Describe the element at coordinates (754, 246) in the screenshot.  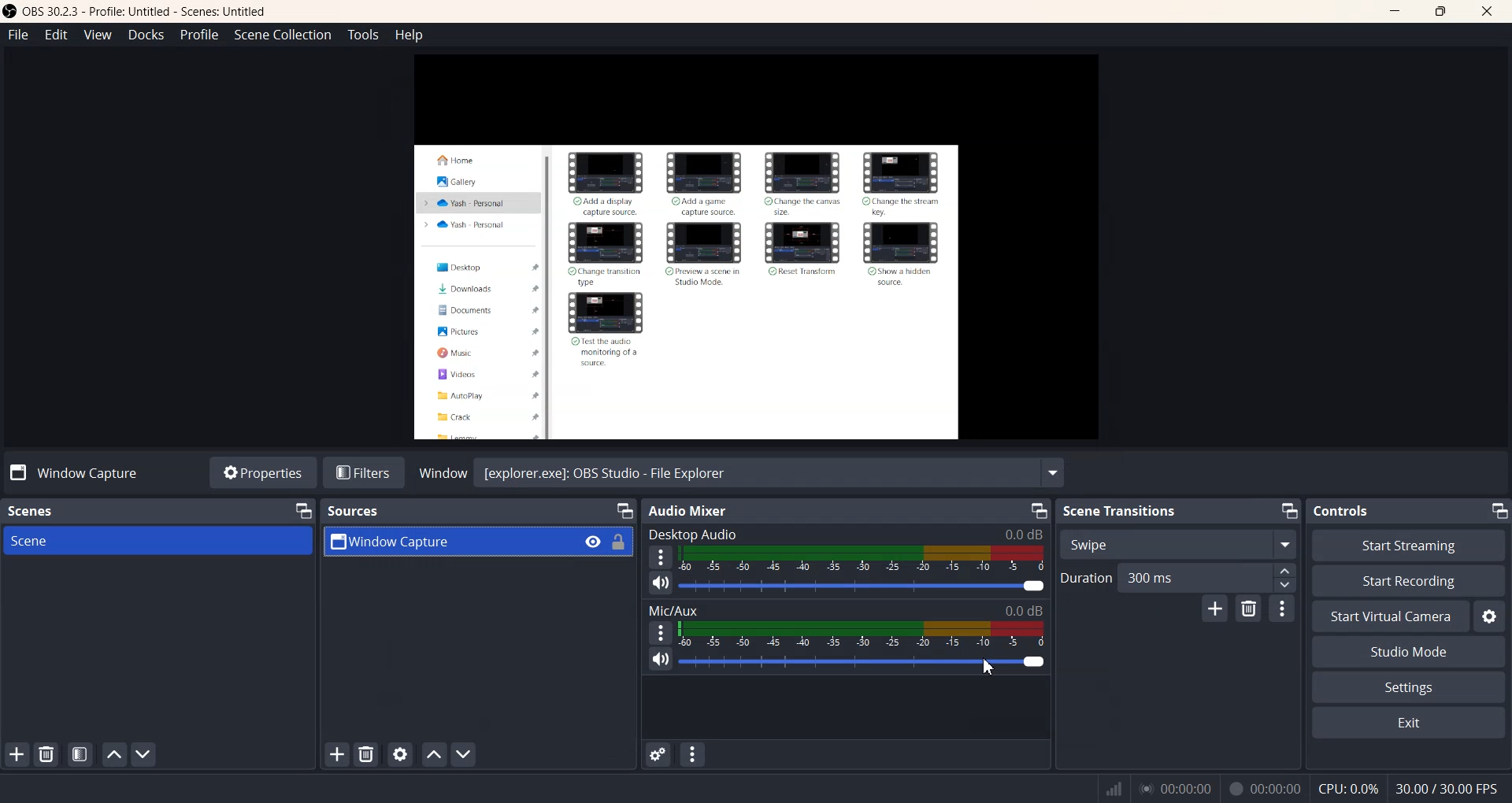
I see `Preview Window` at that location.